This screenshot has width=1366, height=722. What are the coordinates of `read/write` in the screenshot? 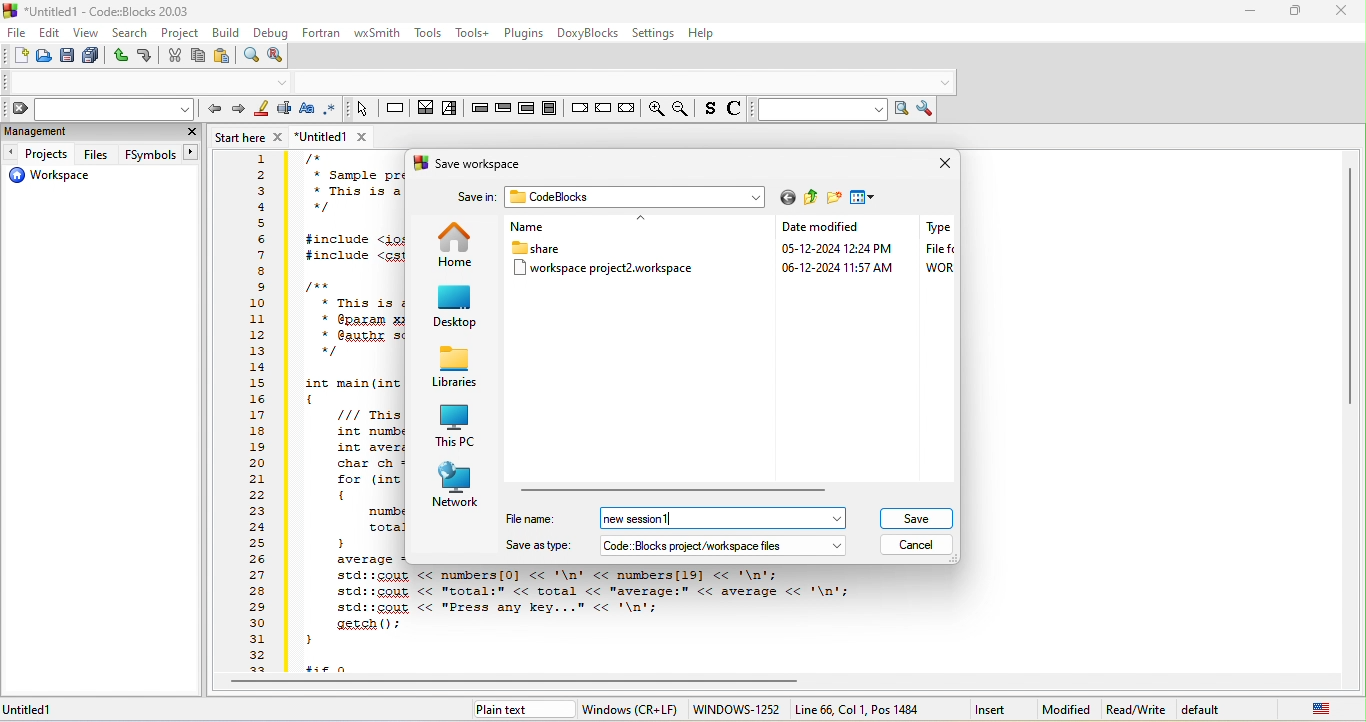 It's located at (1136, 710).